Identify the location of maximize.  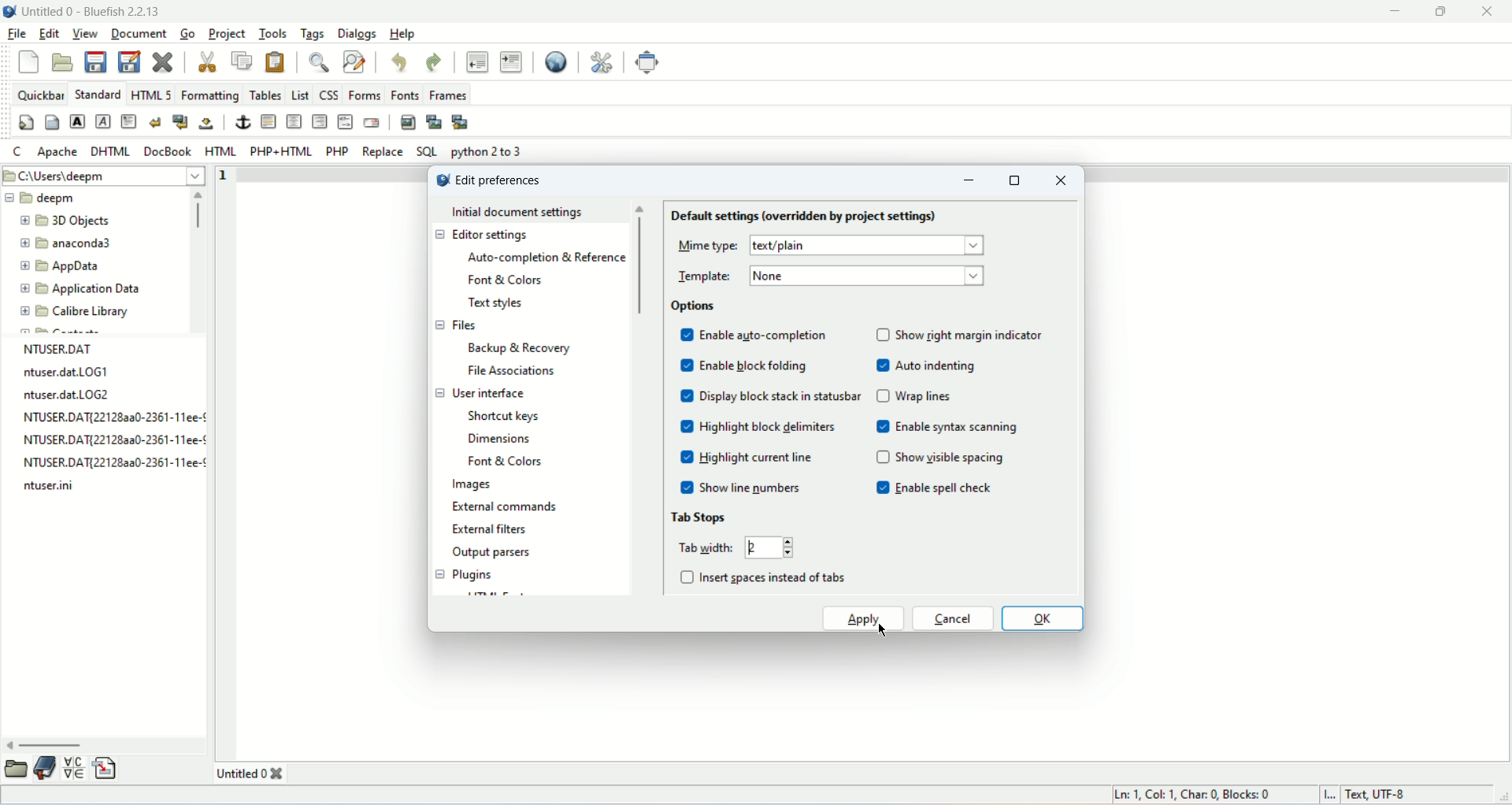
(1017, 180).